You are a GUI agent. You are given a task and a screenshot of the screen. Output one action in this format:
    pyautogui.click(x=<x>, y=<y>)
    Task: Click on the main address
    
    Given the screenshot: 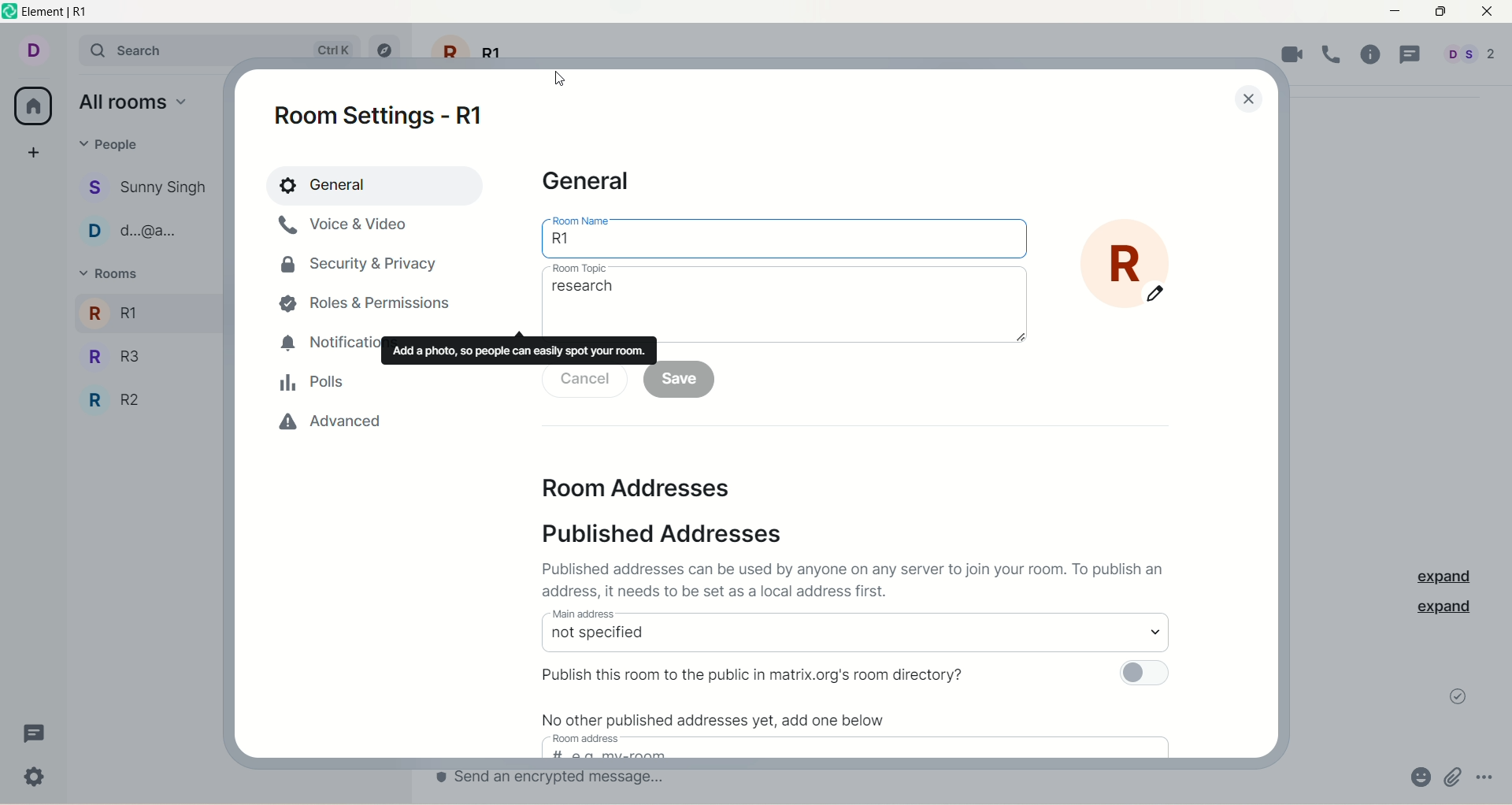 What is the action you would take?
    pyautogui.click(x=853, y=631)
    